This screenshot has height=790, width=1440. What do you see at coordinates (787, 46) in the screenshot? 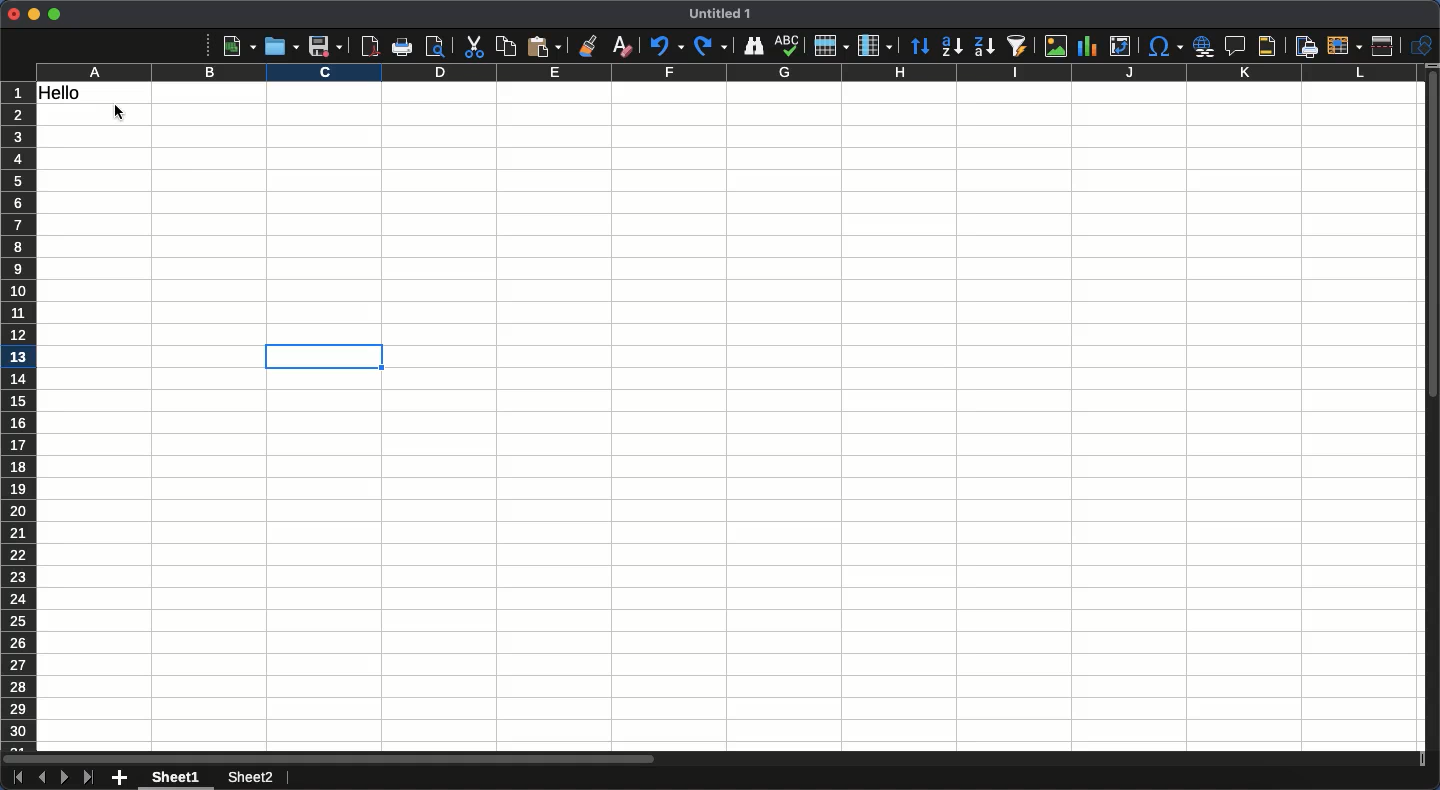
I see `Spelling` at bounding box center [787, 46].